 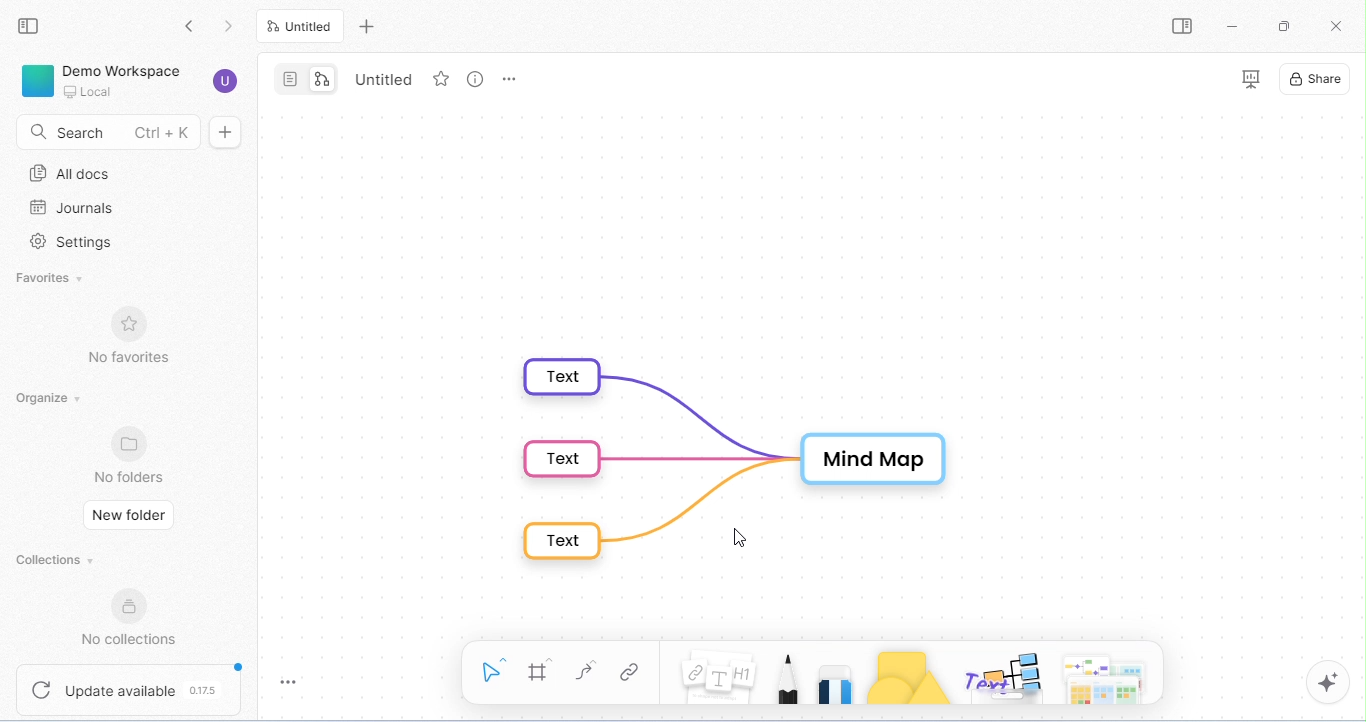 What do you see at coordinates (1237, 28) in the screenshot?
I see `minimize` at bounding box center [1237, 28].